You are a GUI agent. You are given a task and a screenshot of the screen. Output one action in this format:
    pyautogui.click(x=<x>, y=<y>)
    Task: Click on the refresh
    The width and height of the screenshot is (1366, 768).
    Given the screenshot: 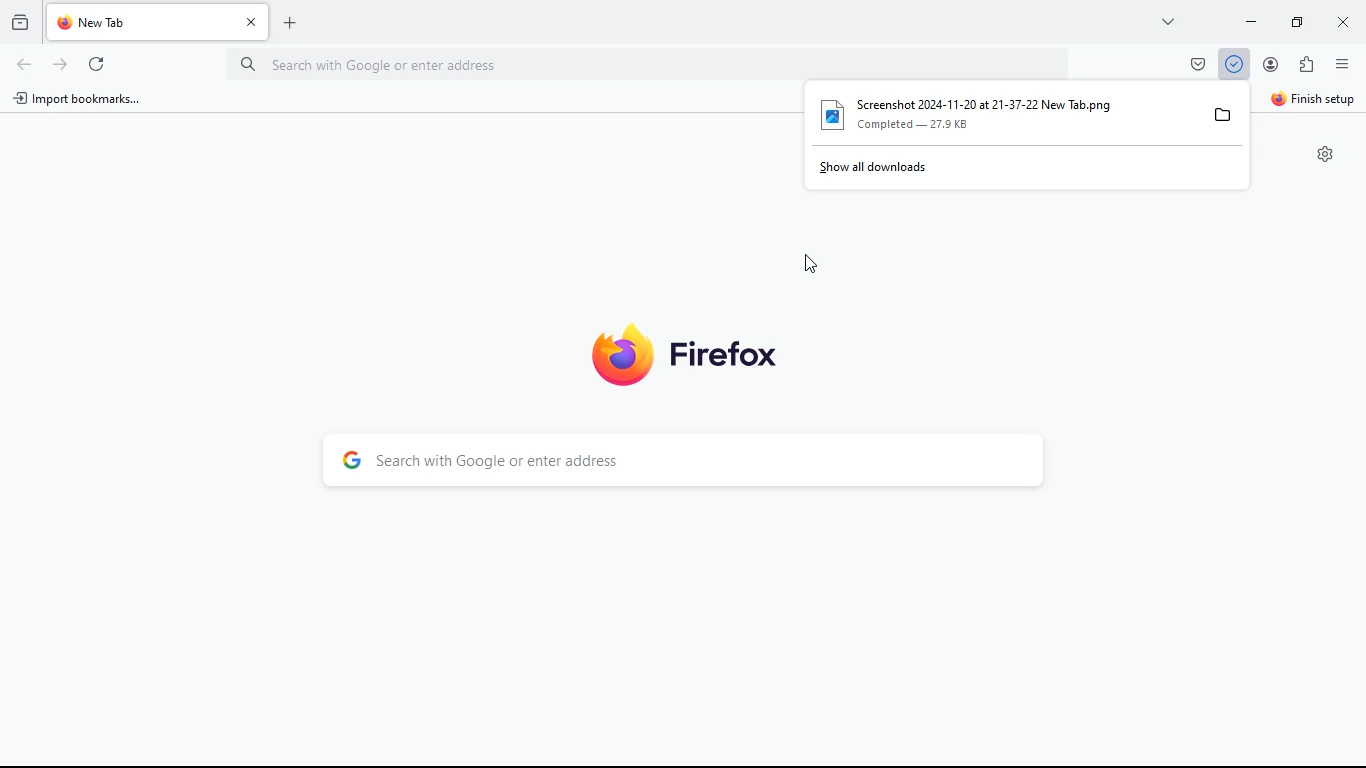 What is the action you would take?
    pyautogui.click(x=59, y=64)
    